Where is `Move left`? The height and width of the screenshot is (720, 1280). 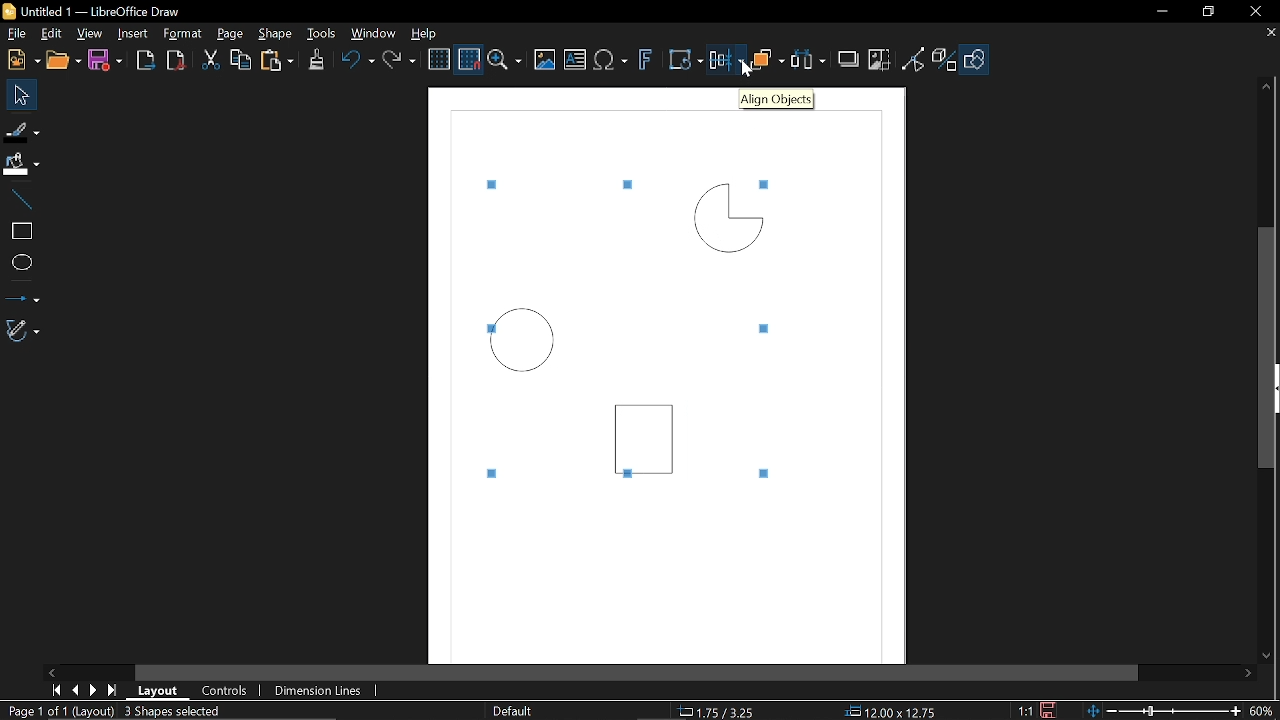
Move left is located at coordinates (51, 671).